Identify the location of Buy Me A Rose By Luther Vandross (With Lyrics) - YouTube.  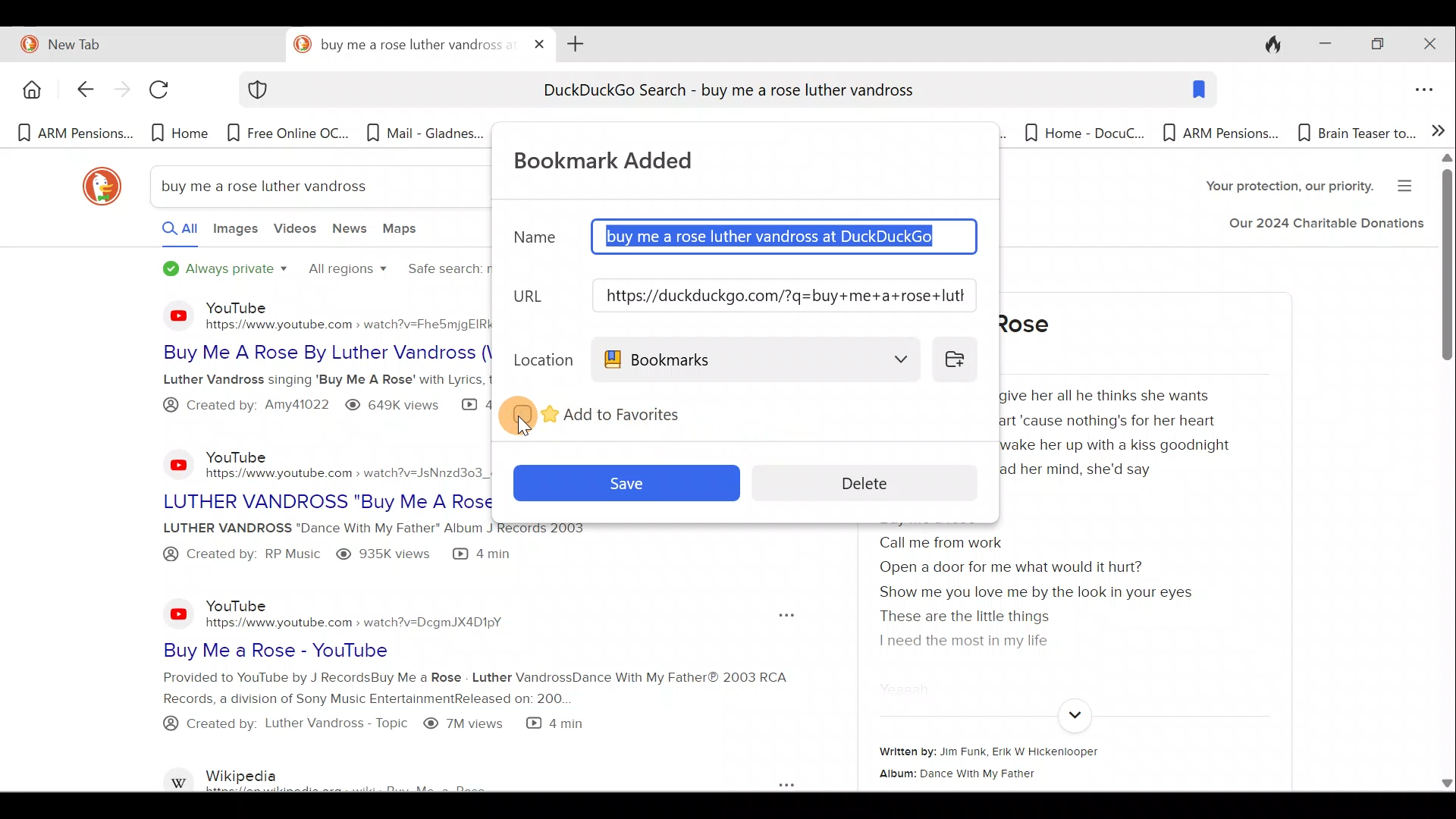
(310, 353).